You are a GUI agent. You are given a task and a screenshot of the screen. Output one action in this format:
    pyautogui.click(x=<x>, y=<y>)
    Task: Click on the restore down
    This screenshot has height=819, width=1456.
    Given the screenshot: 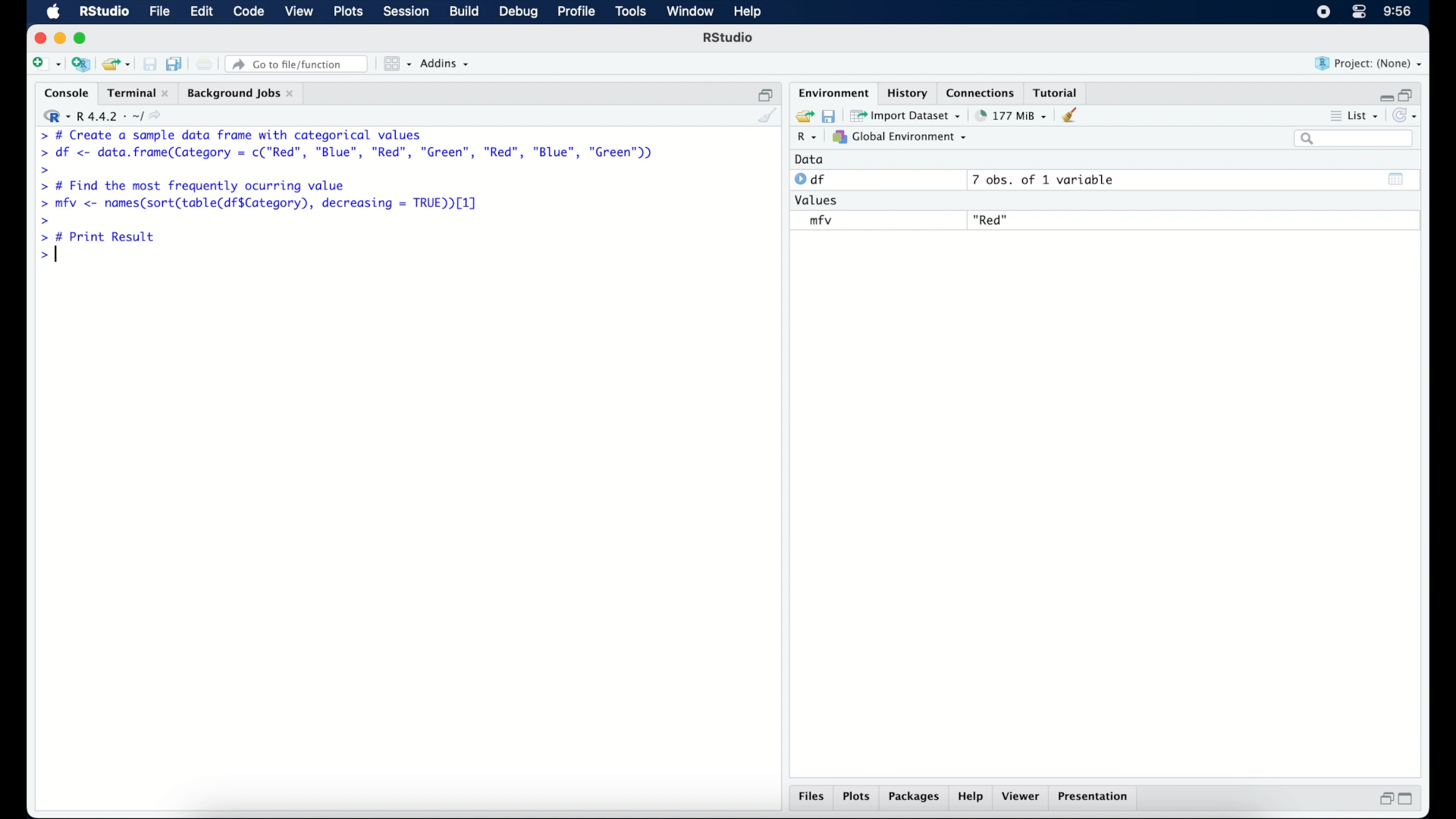 What is the action you would take?
    pyautogui.click(x=1410, y=93)
    